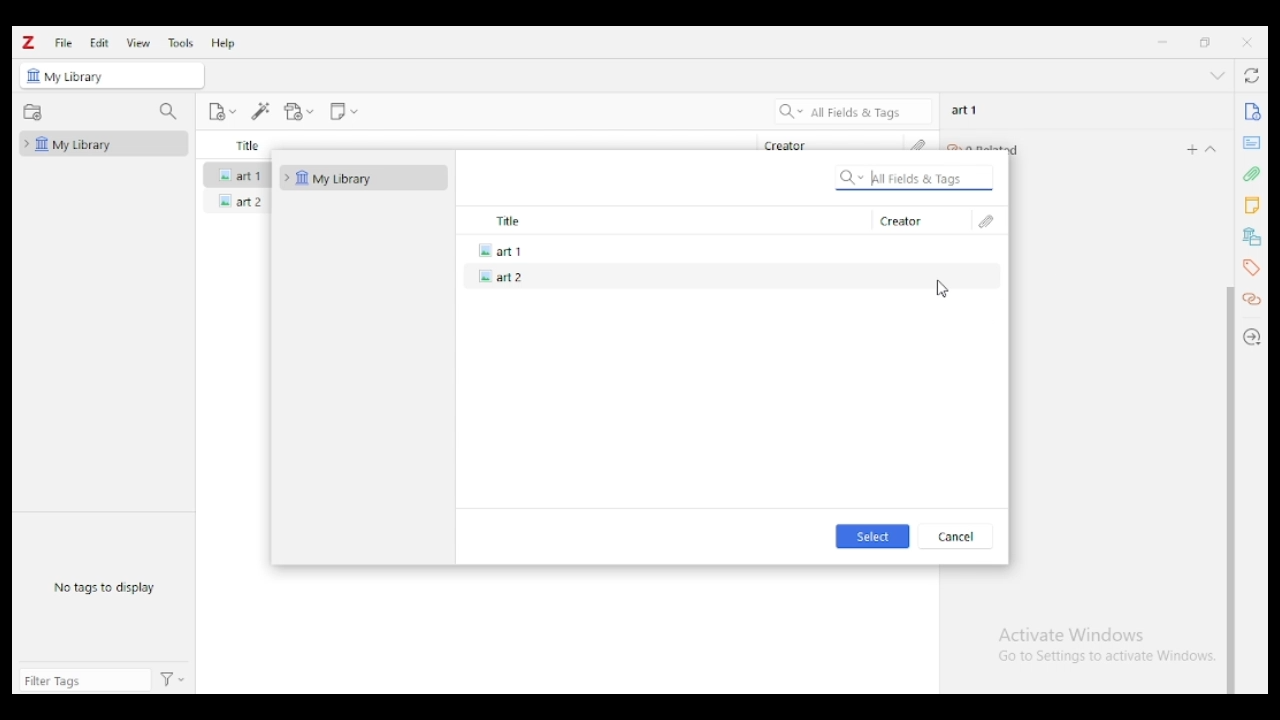 The width and height of the screenshot is (1280, 720). I want to click on logo, so click(29, 43).